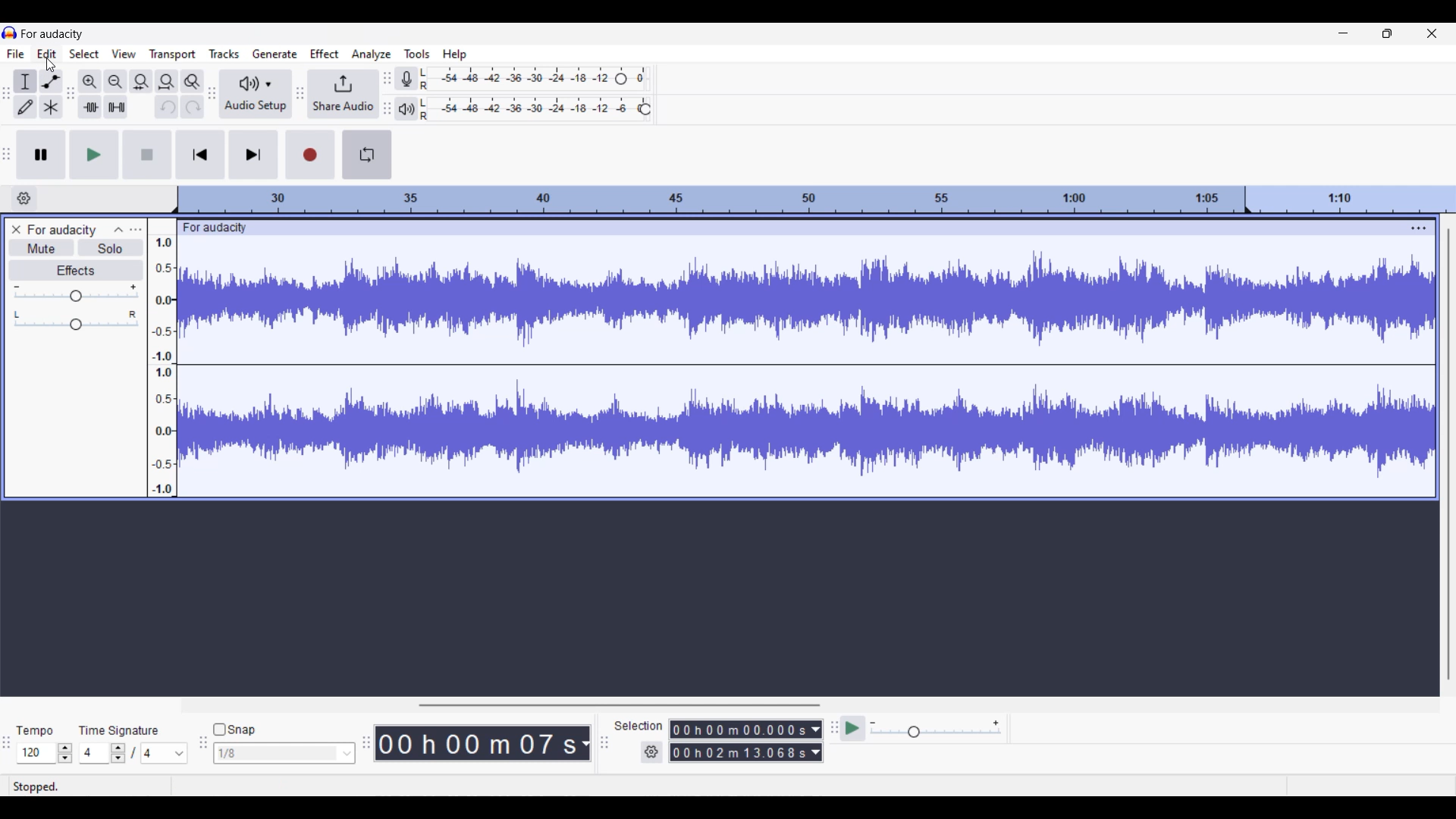 This screenshot has height=819, width=1456. Describe the element at coordinates (41, 155) in the screenshot. I see `Pause` at that location.